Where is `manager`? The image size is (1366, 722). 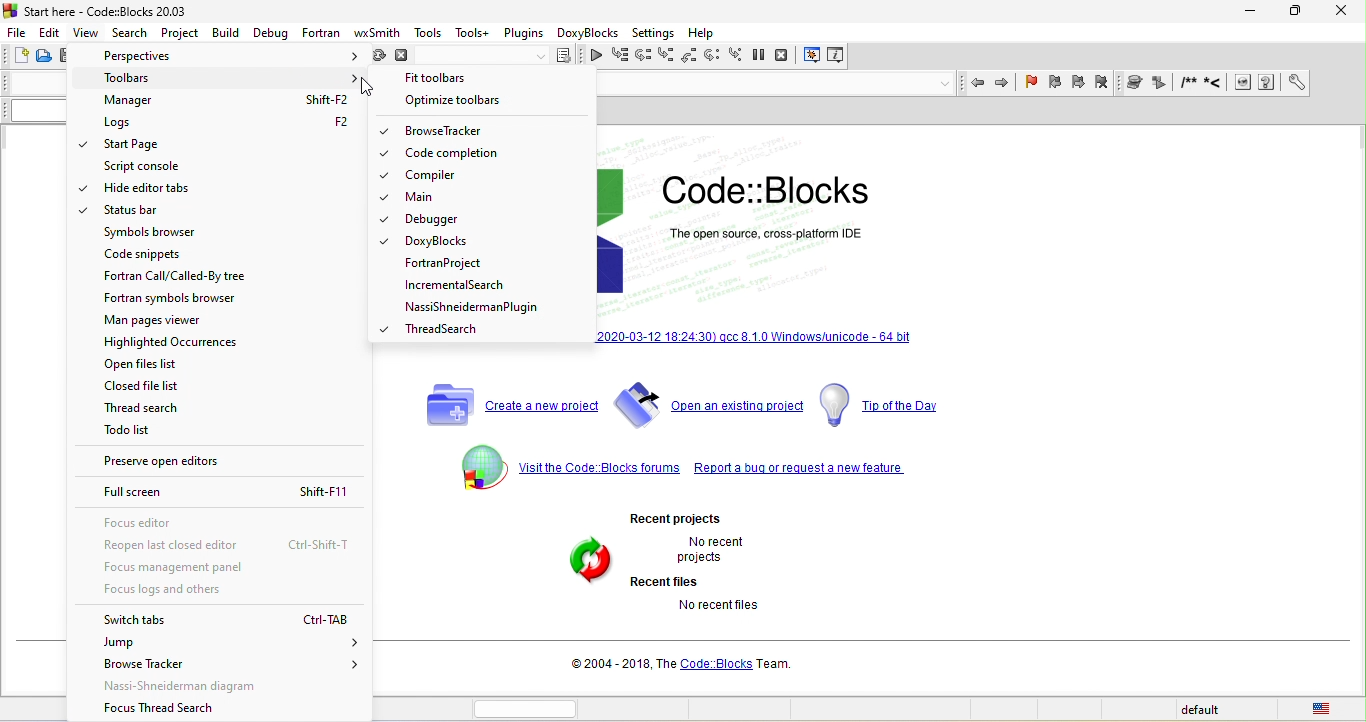 manager is located at coordinates (228, 101).